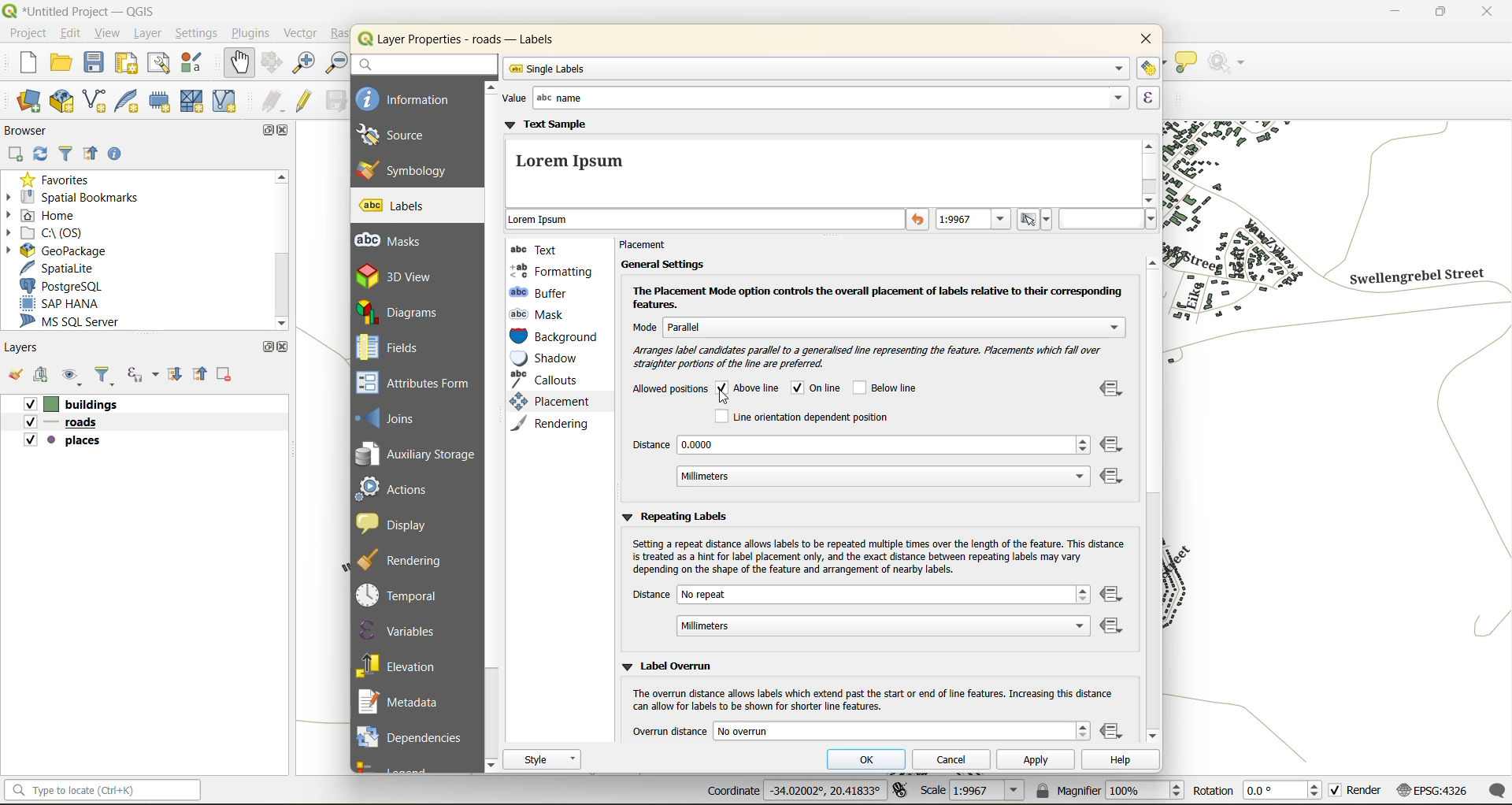  Describe the element at coordinates (94, 62) in the screenshot. I see `save` at that location.